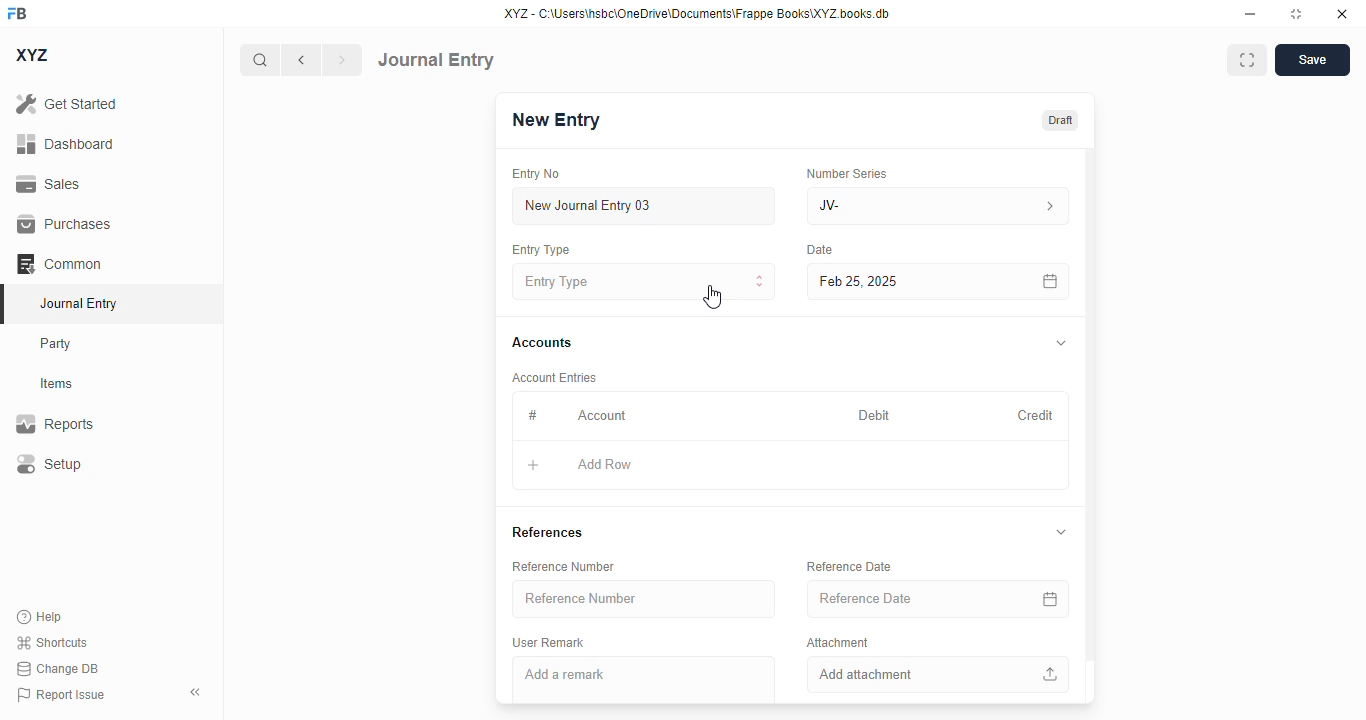 This screenshot has width=1366, height=720. Describe the element at coordinates (910, 282) in the screenshot. I see `feb 25, 2025` at that location.